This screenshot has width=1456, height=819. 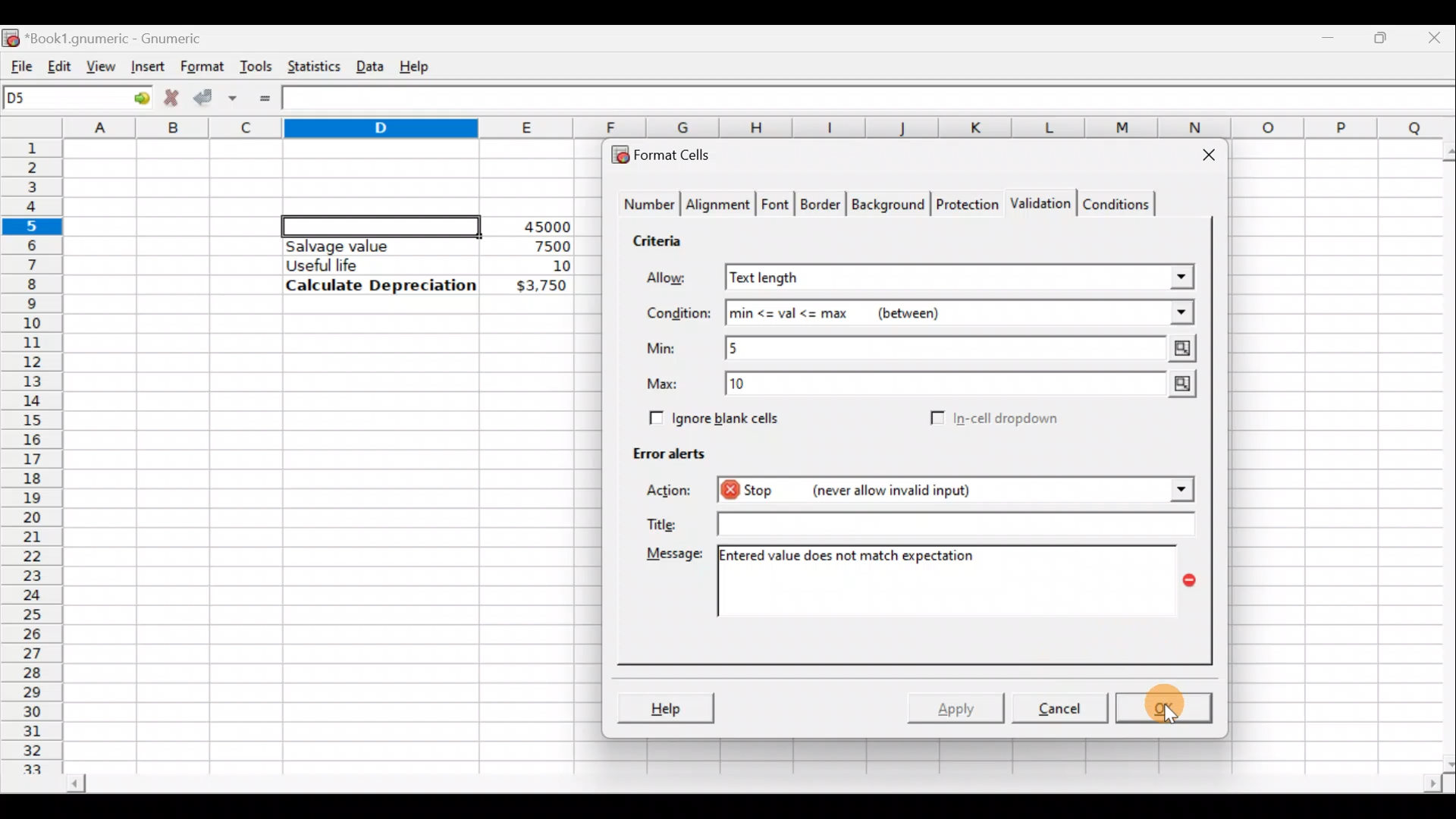 I want to click on Format, so click(x=201, y=67).